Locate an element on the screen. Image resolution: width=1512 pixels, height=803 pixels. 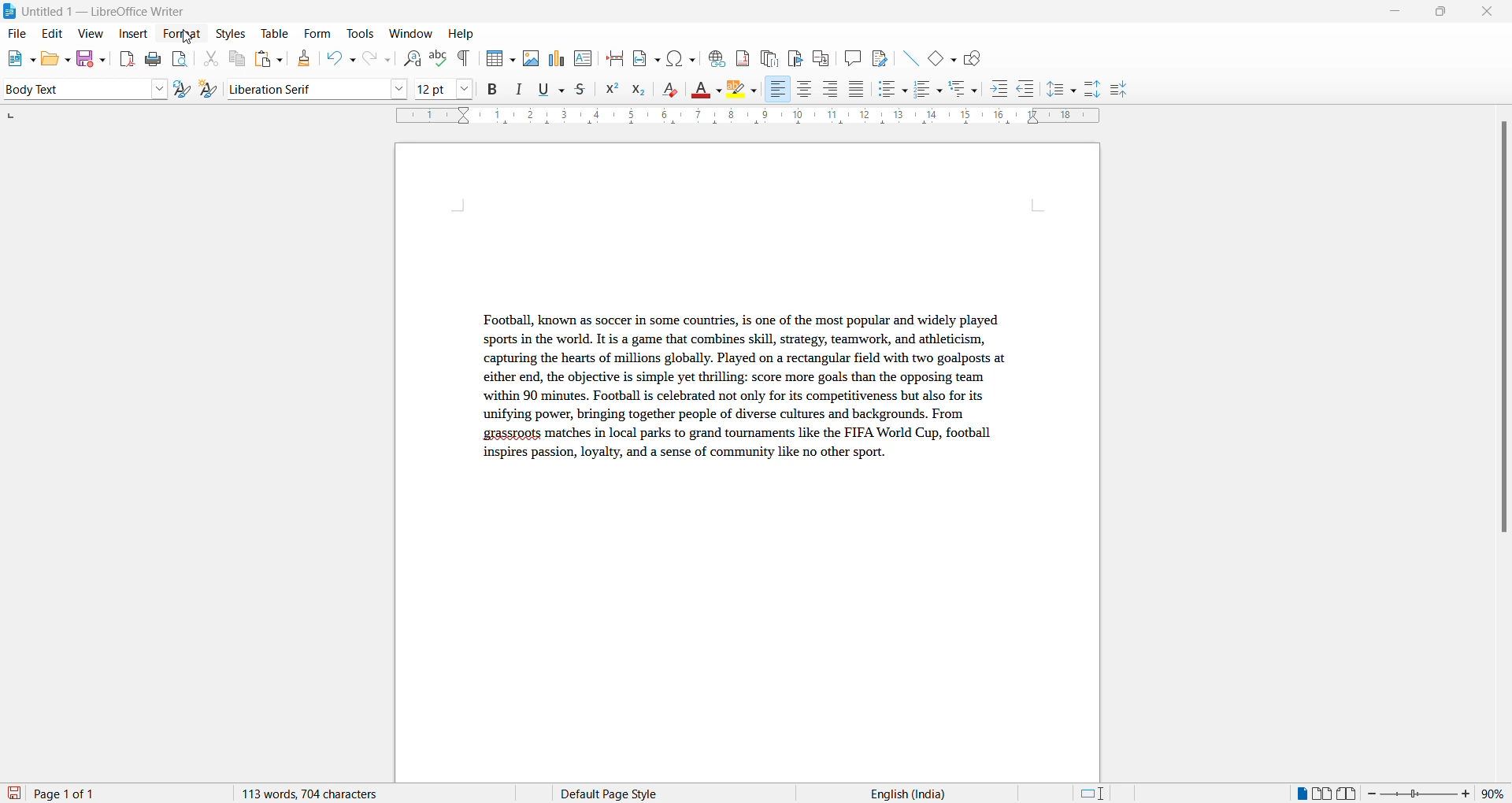
create new style from selection is located at coordinates (212, 91).